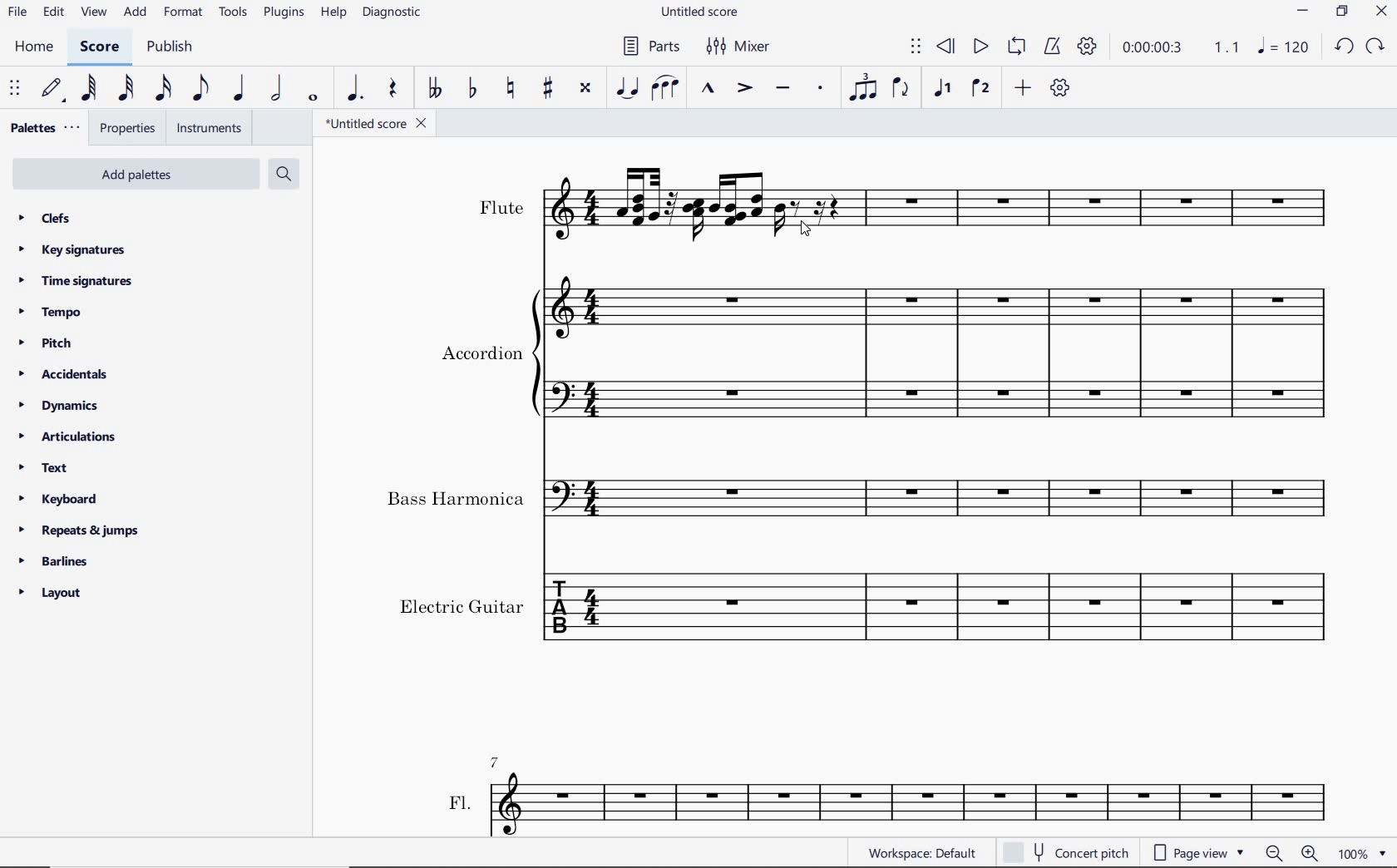 The image size is (1397, 868). I want to click on quarter note, so click(239, 89).